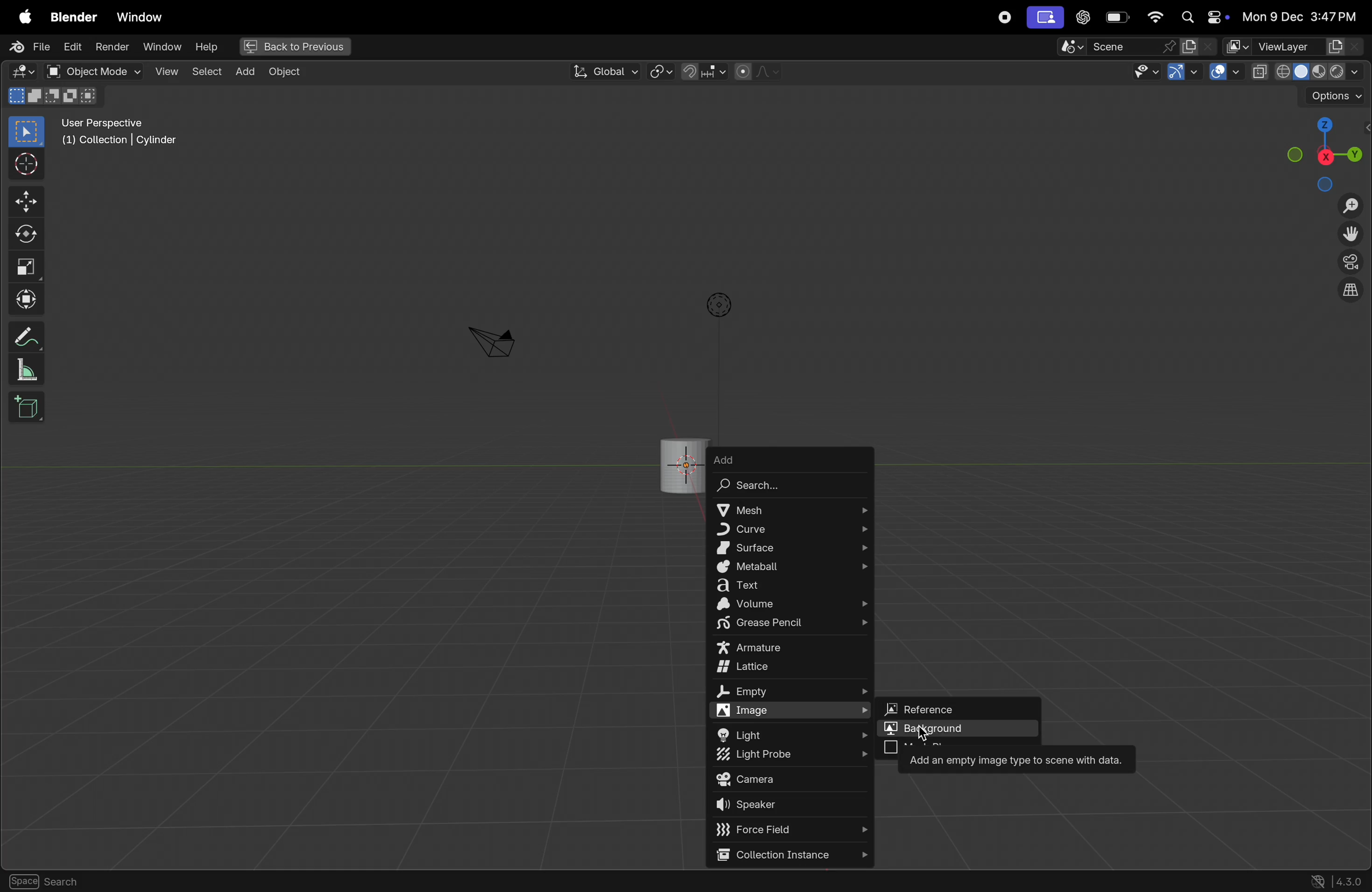 Image resolution: width=1372 pixels, height=892 pixels. What do you see at coordinates (1200, 18) in the screenshot?
I see `apple widgets` at bounding box center [1200, 18].